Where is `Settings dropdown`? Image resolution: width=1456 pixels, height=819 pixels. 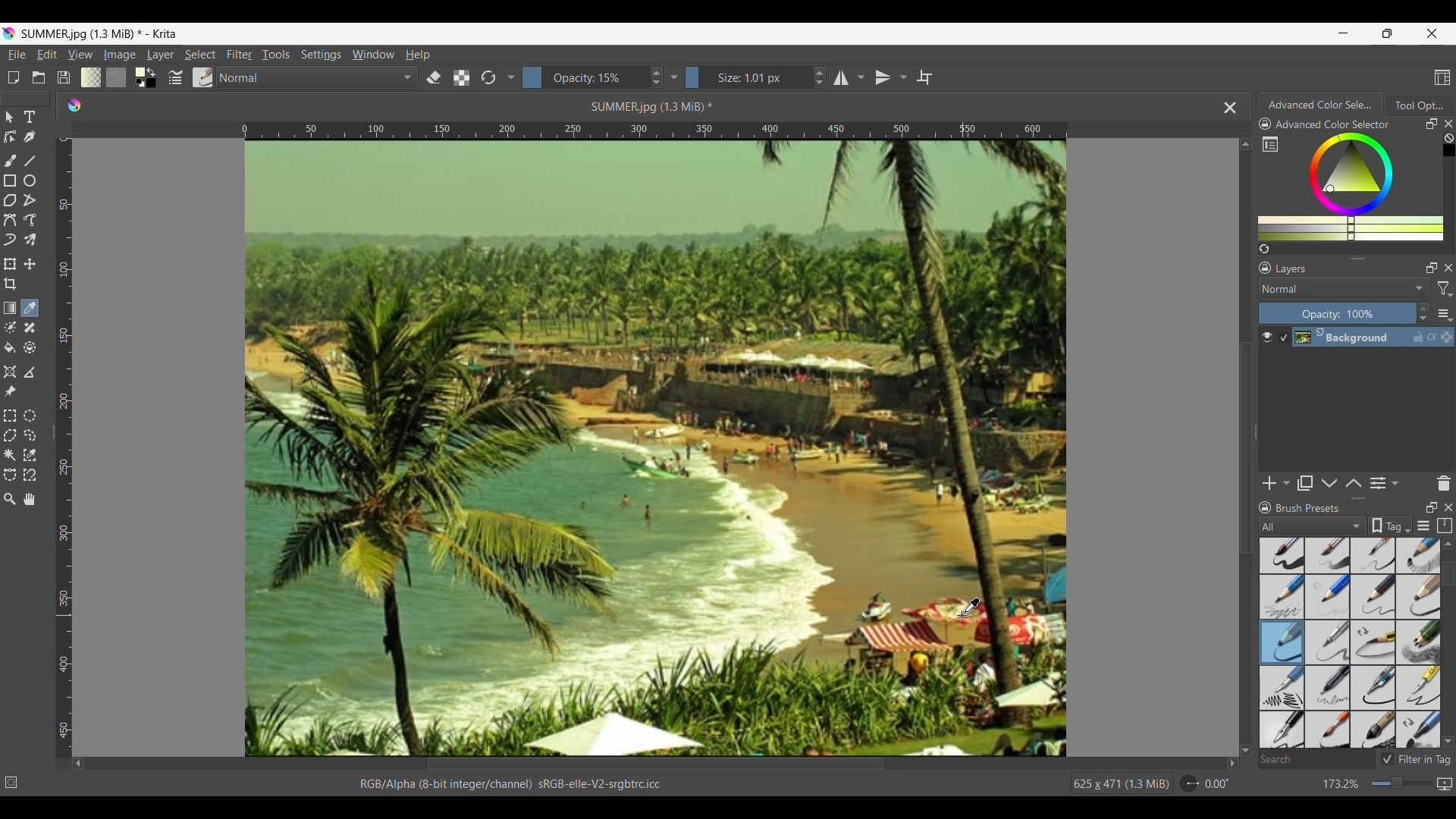
Settings dropdown is located at coordinates (674, 77).